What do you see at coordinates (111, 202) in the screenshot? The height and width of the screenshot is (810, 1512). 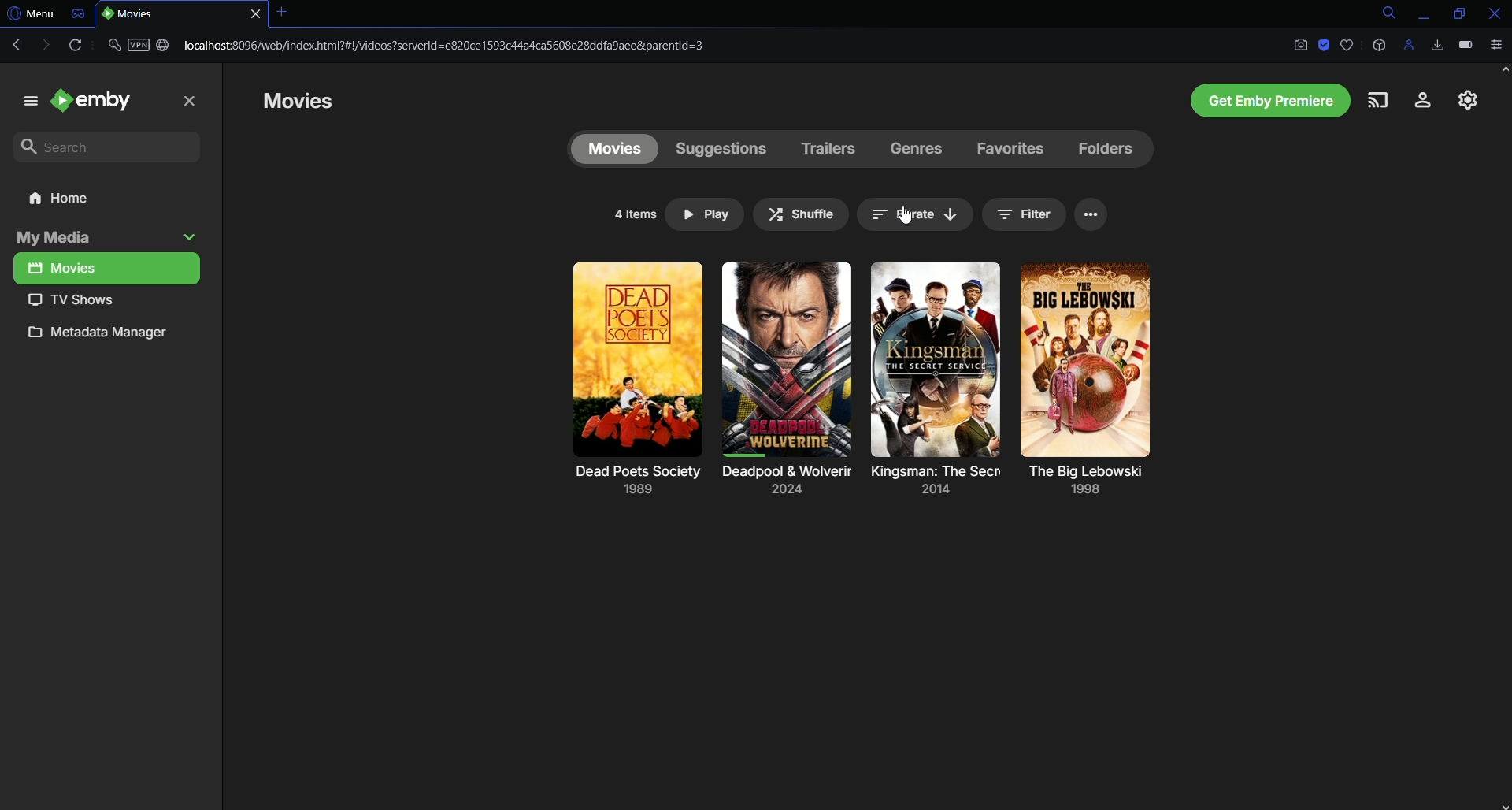 I see `Home` at bounding box center [111, 202].